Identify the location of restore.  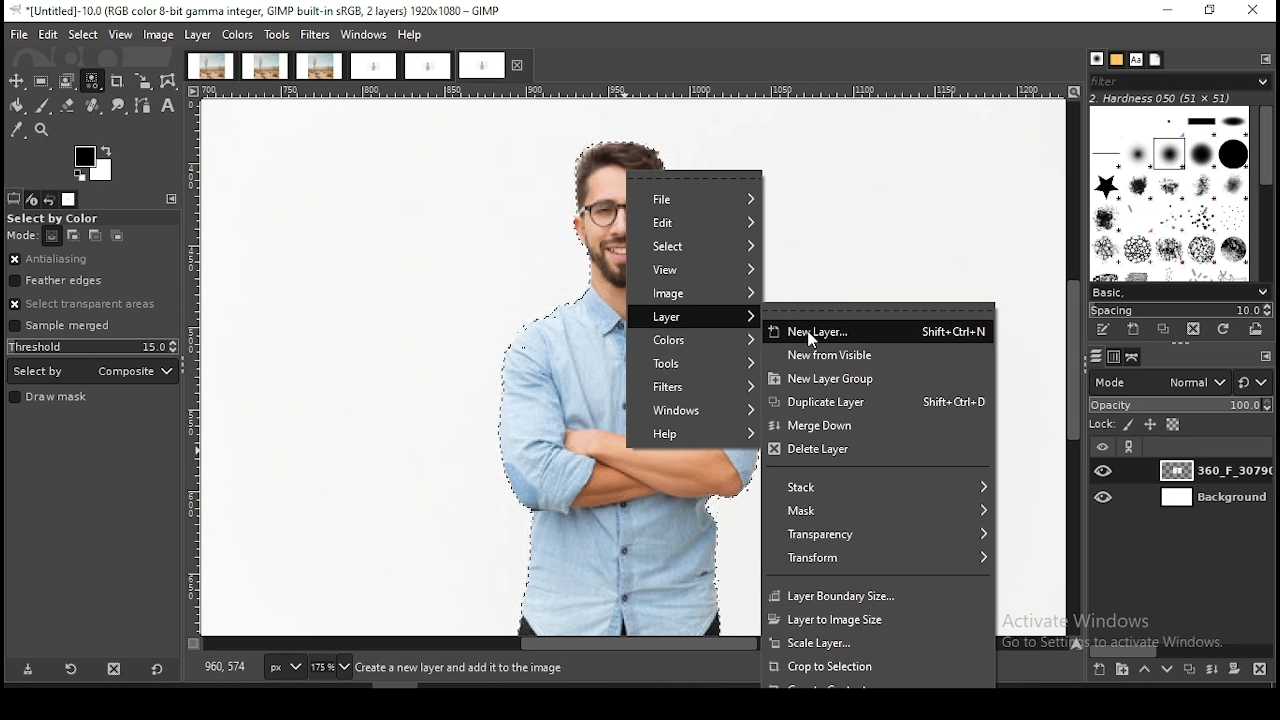
(1212, 12).